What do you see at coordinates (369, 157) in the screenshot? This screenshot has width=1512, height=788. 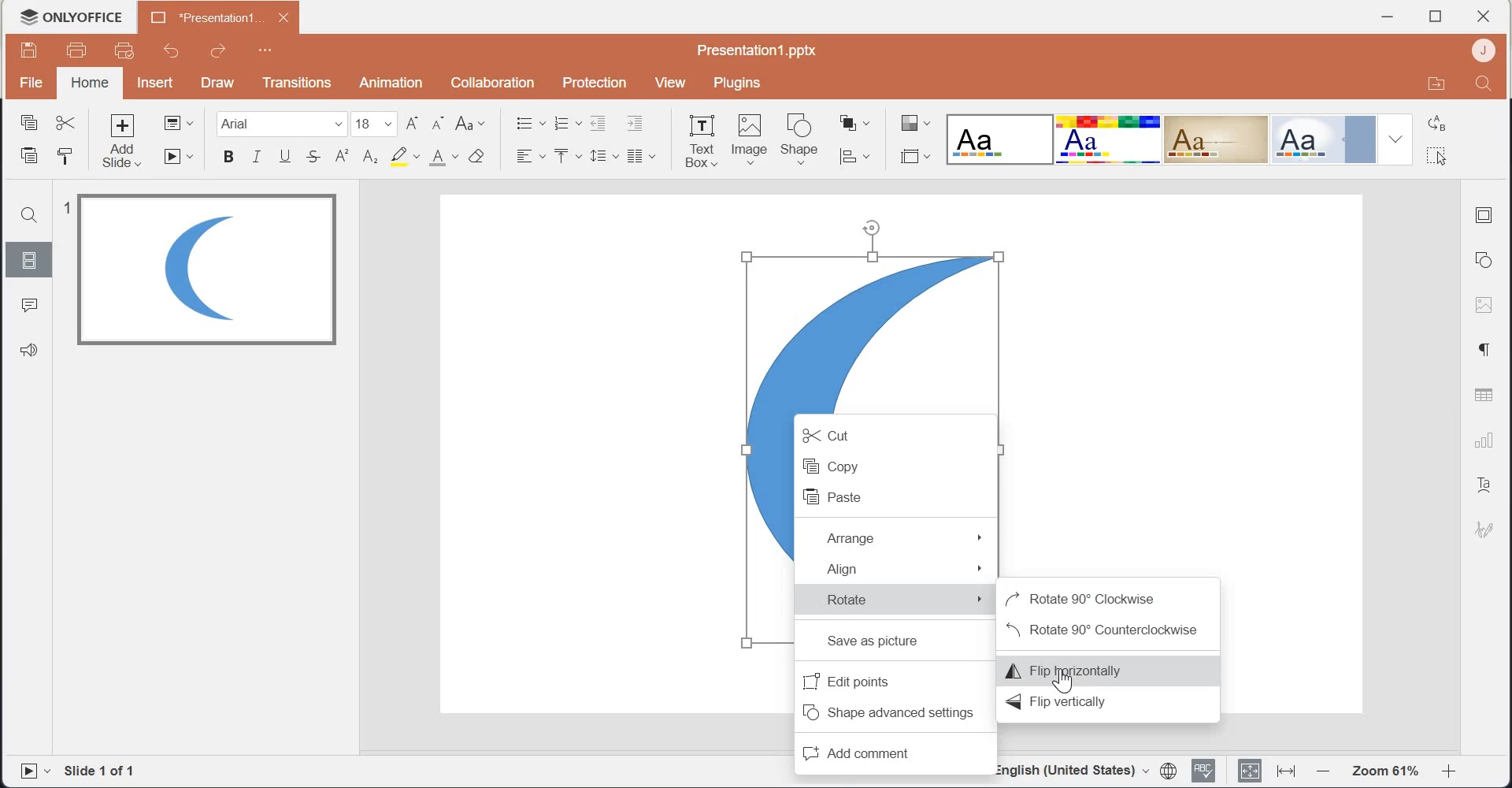 I see `Subscript` at bounding box center [369, 157].